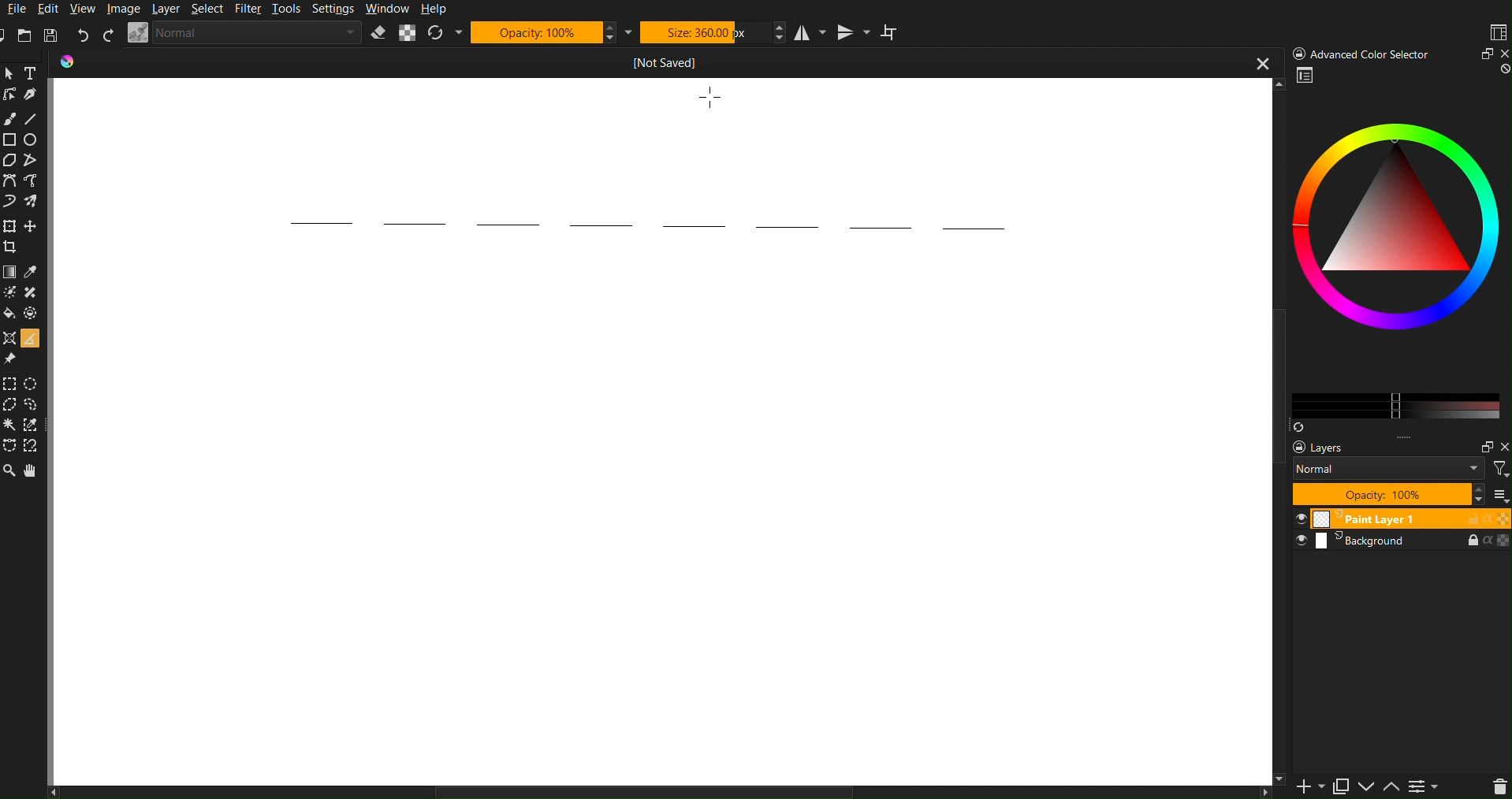 This screenshot has width=1512, height=799. I want to click on Color Pallete, so click(33, 313).